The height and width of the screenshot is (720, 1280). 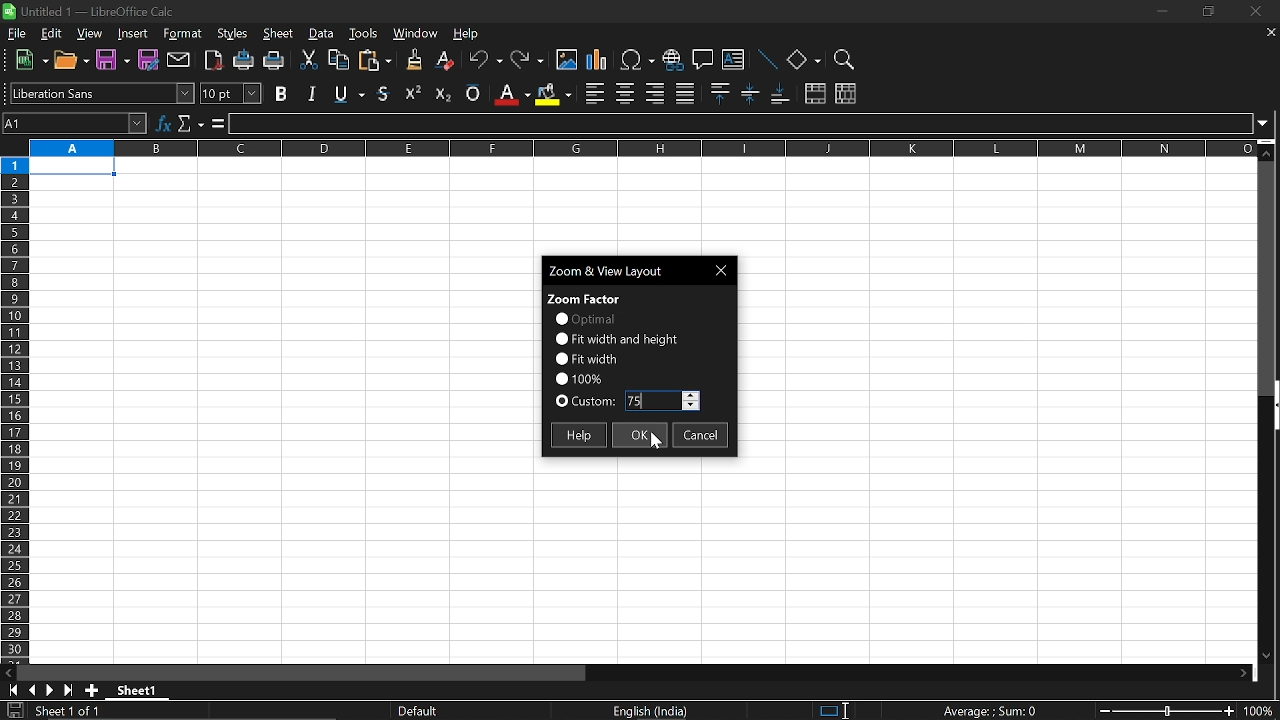 I want to click on standard selection, so click(x=834, y=710).